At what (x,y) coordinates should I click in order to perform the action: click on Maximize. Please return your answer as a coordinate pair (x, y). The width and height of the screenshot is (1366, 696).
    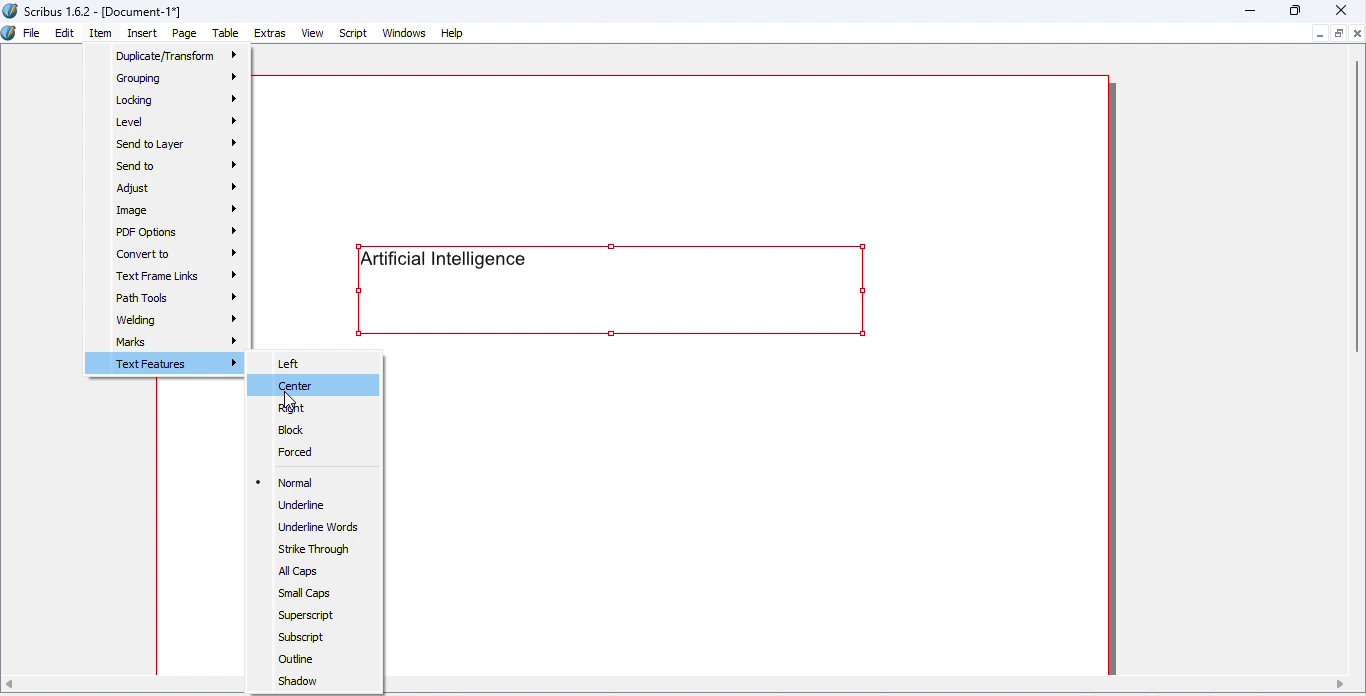
    Looking at the image, I should click on (1297, 11).